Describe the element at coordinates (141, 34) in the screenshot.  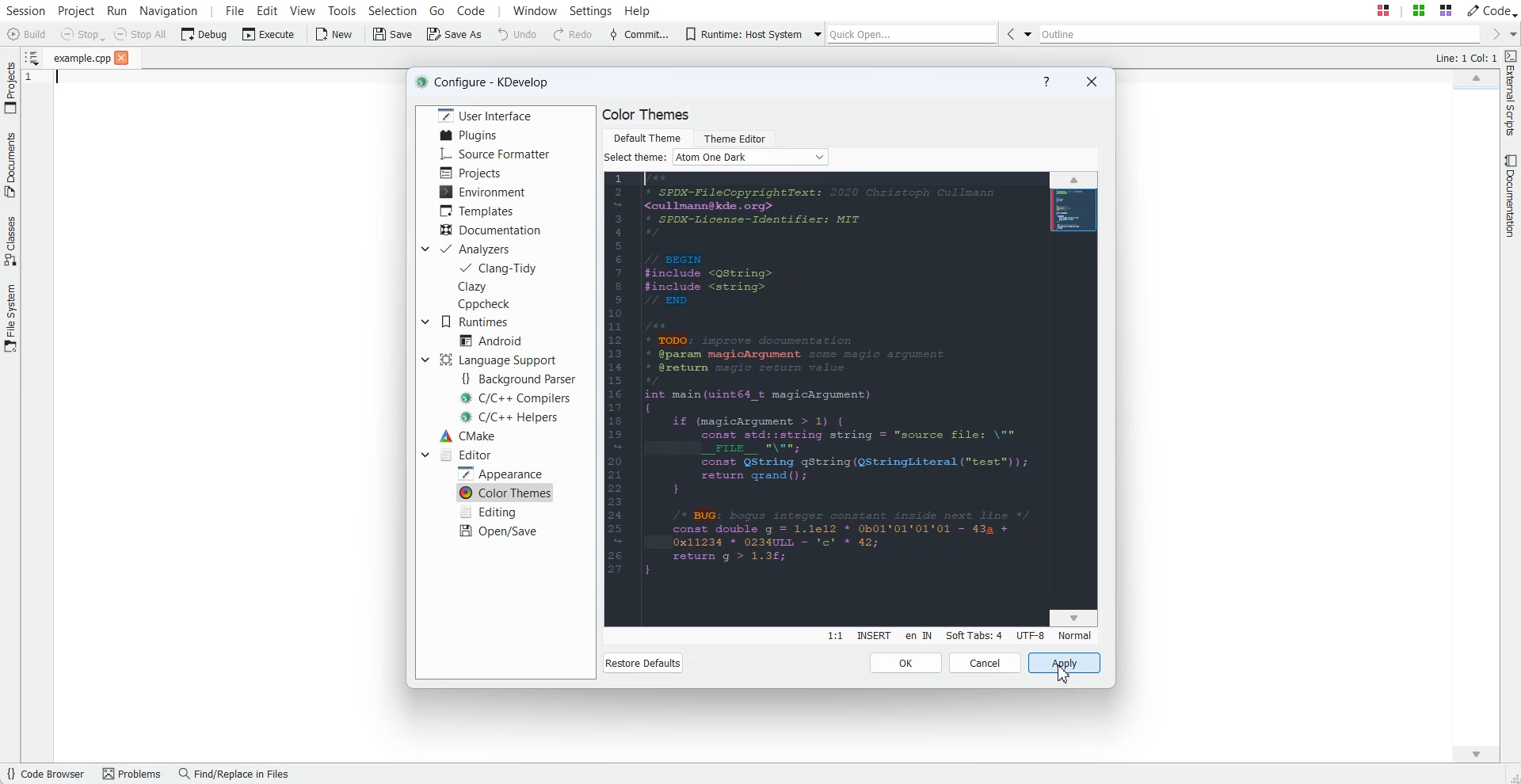
I see `Stop All` at that location.